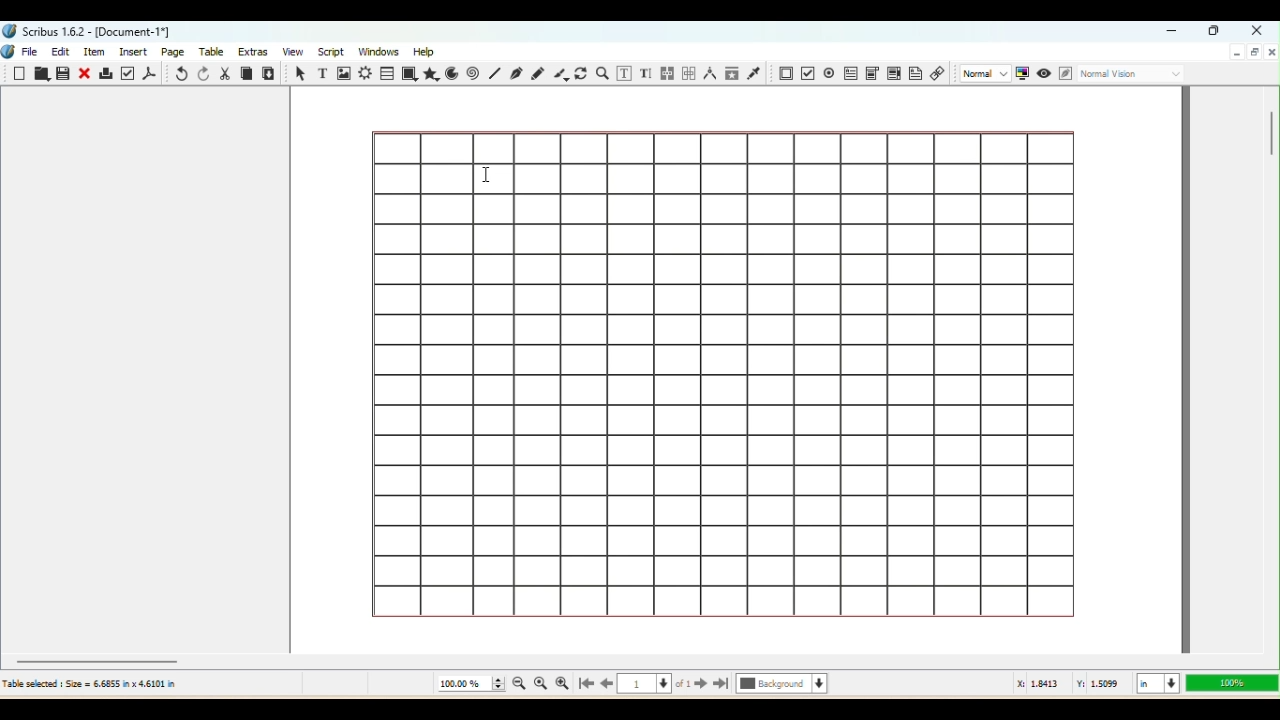  What do you see at coordinates (983, 73) in the screenshot?
I see `Select the image preview quality` at bounding box center [983, 73].